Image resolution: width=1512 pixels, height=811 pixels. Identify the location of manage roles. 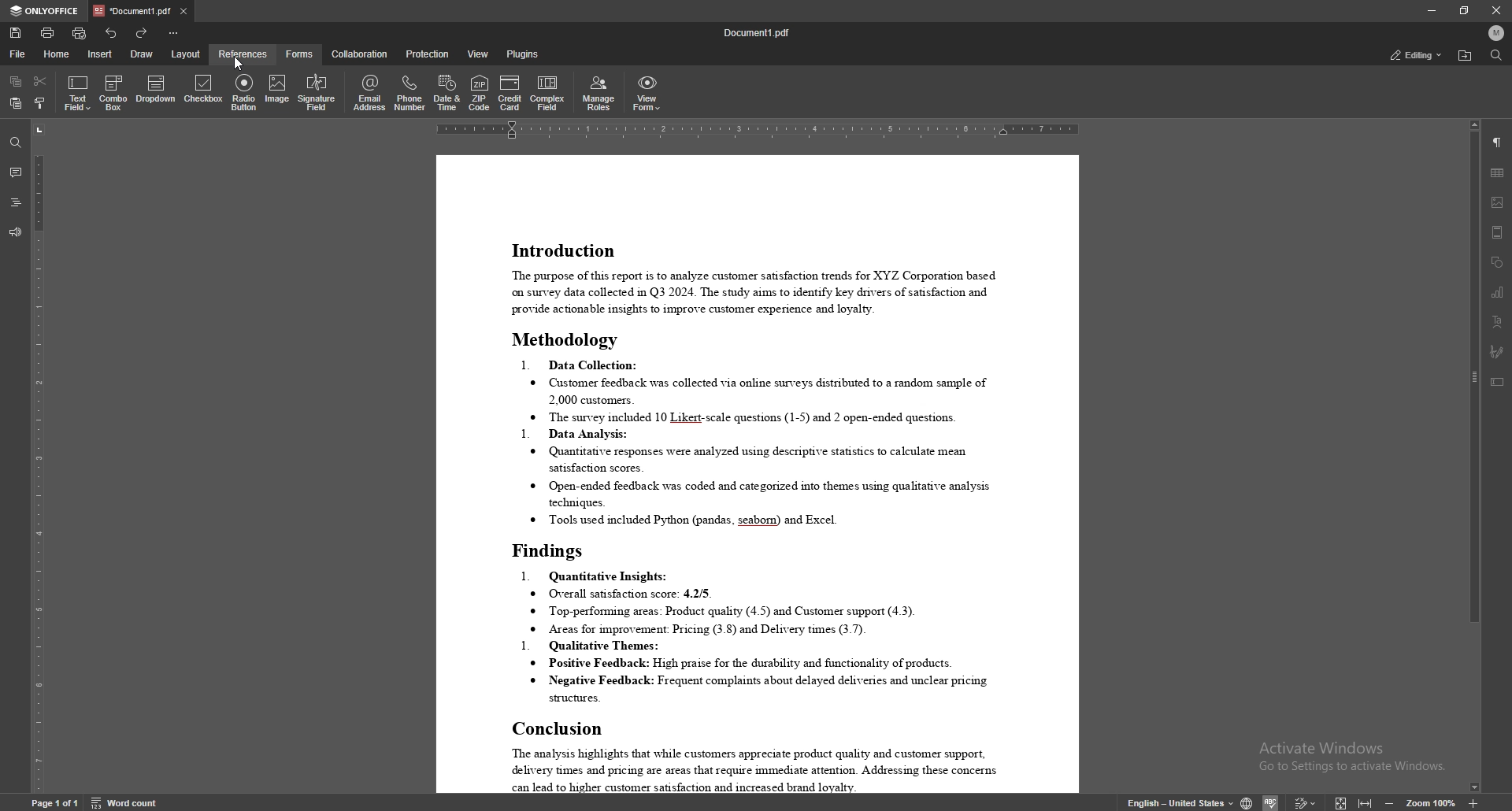
(599, 94).